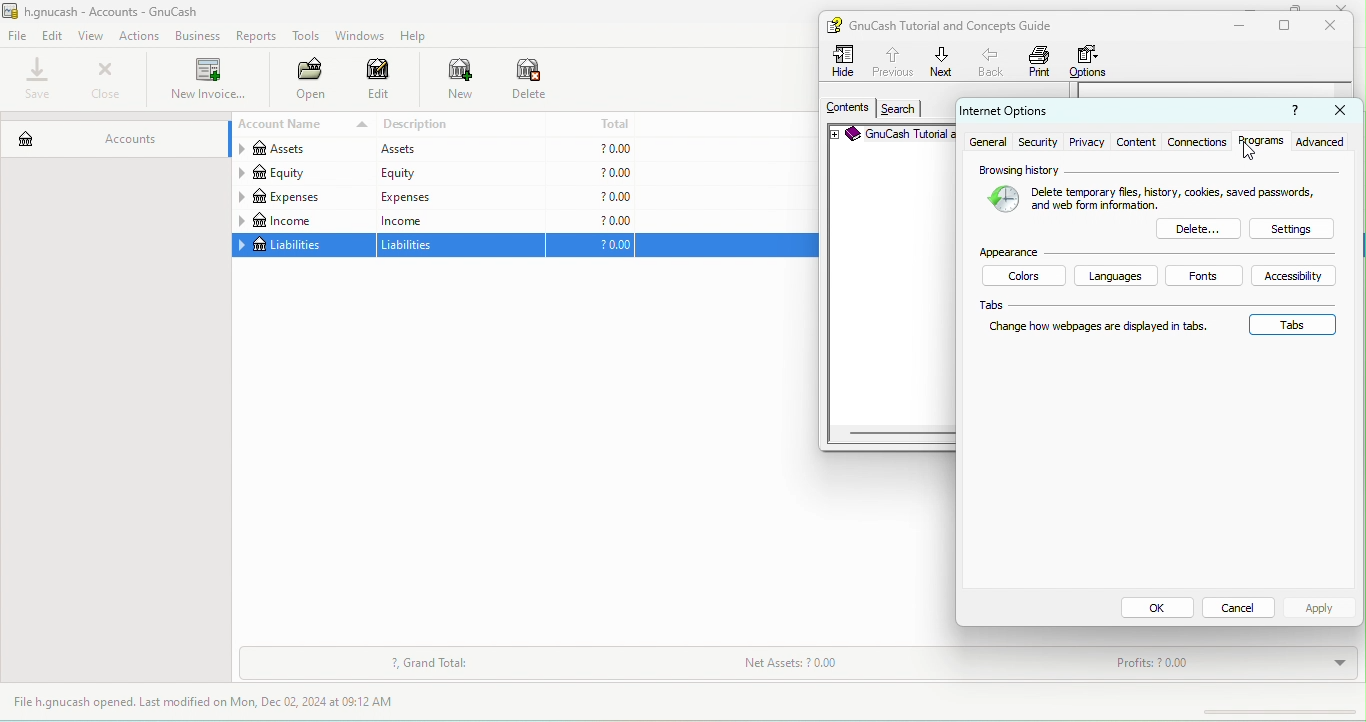 The image size is (1366, 722). Describe the element at coordinates (592, 123) in the screenshot. I see `total` at that location.